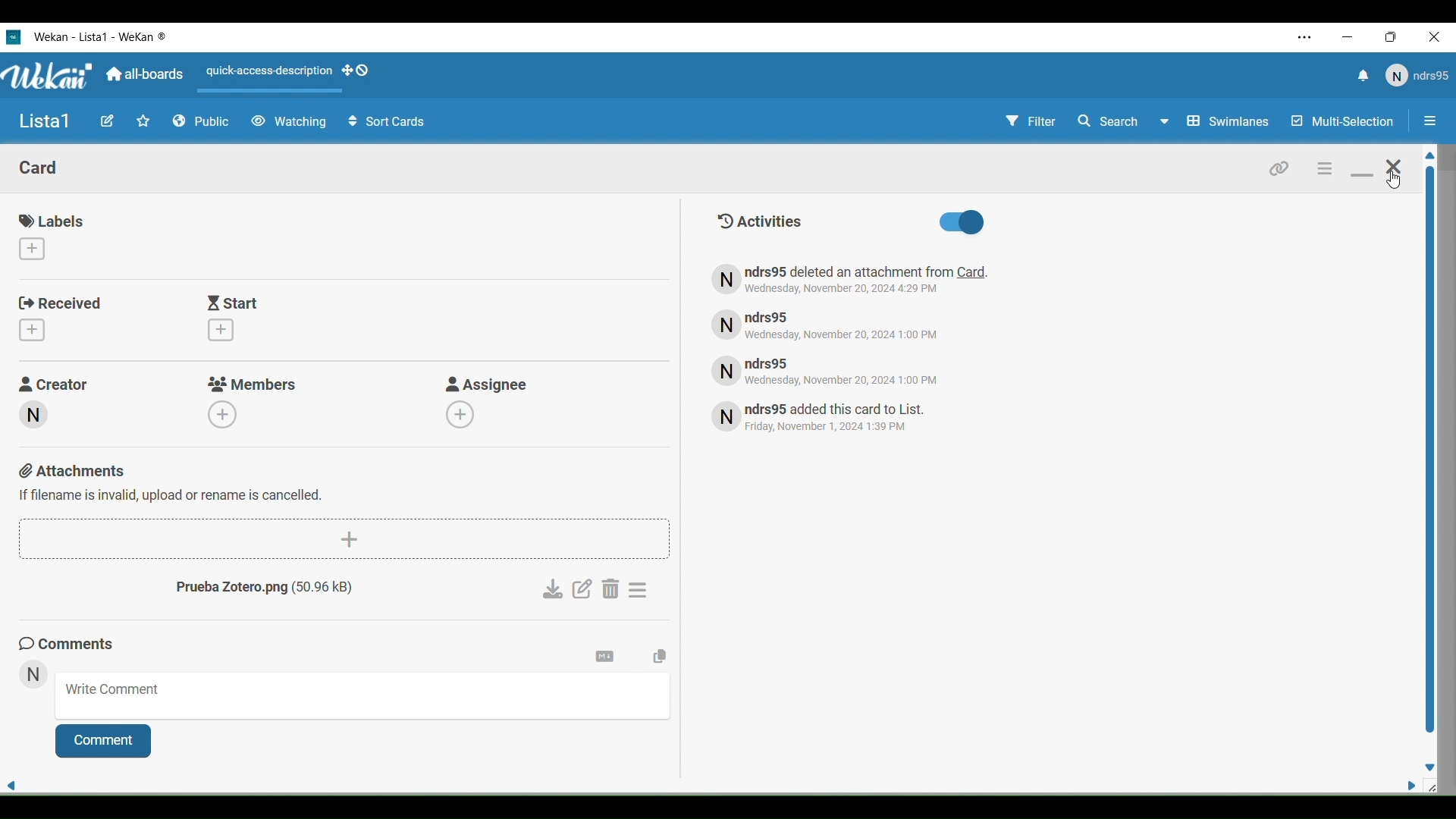 The width and height of the screenshot is (1456, 819). What do you see at coordinates (1394, 180) in the screenshot?
I see `Cursor` at bounding box center [1394, 180].